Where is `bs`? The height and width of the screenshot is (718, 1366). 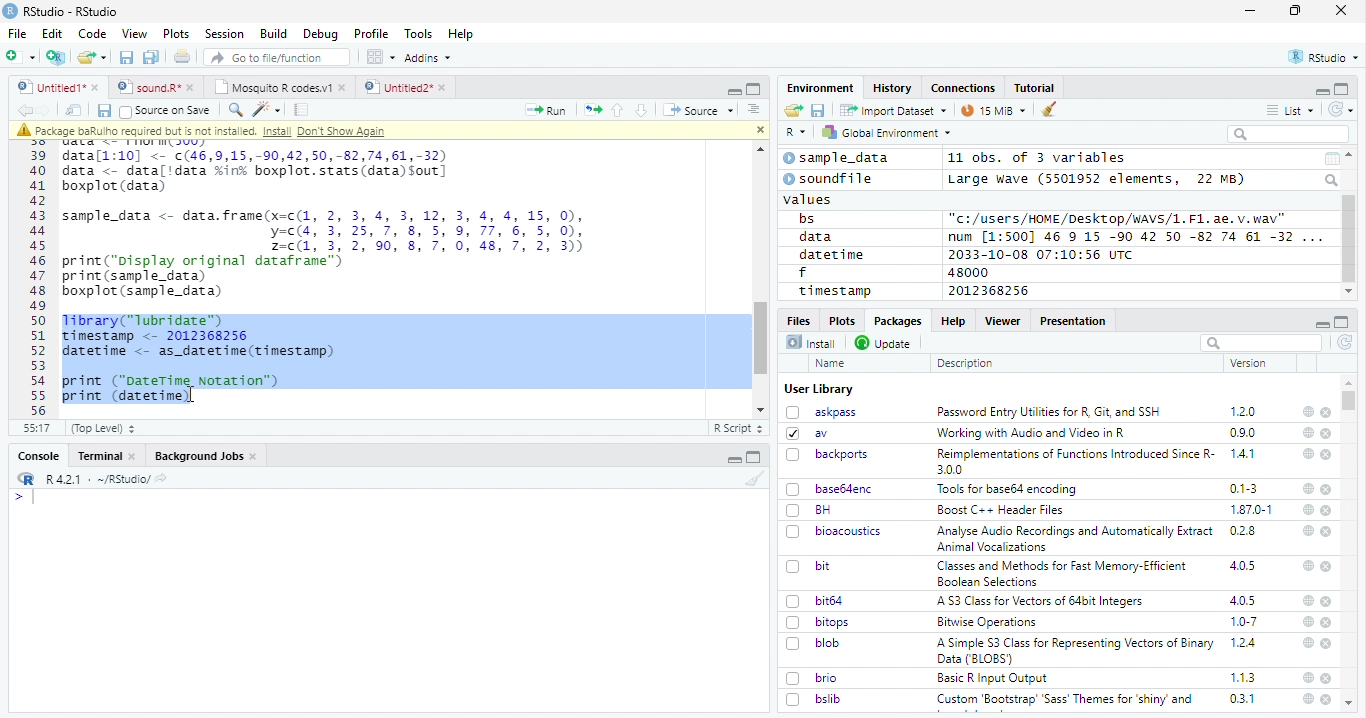 bs is located at coordinates (807, 219).